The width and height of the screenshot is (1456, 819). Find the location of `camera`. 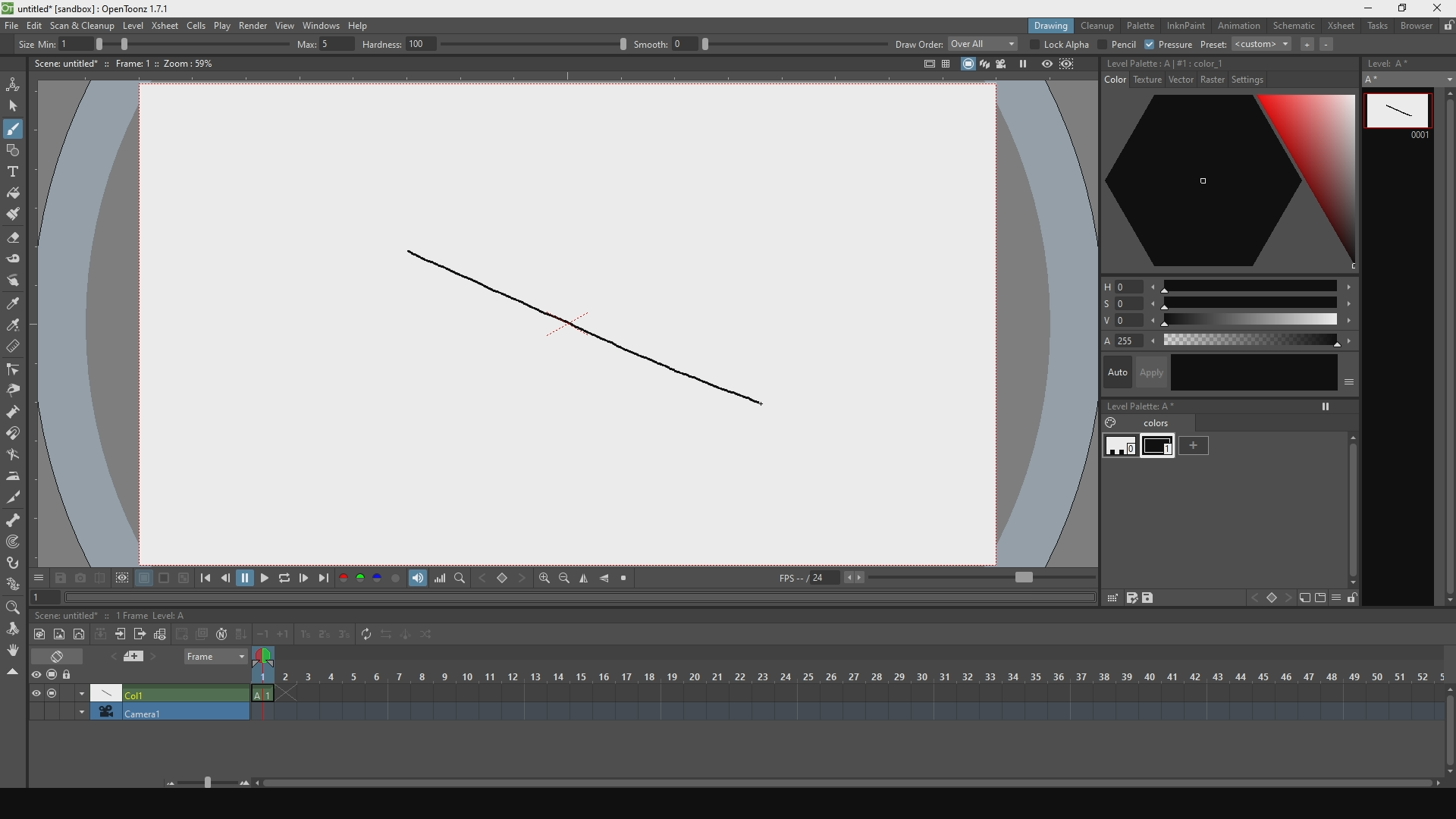

camera is located at coordinates (142, 711).